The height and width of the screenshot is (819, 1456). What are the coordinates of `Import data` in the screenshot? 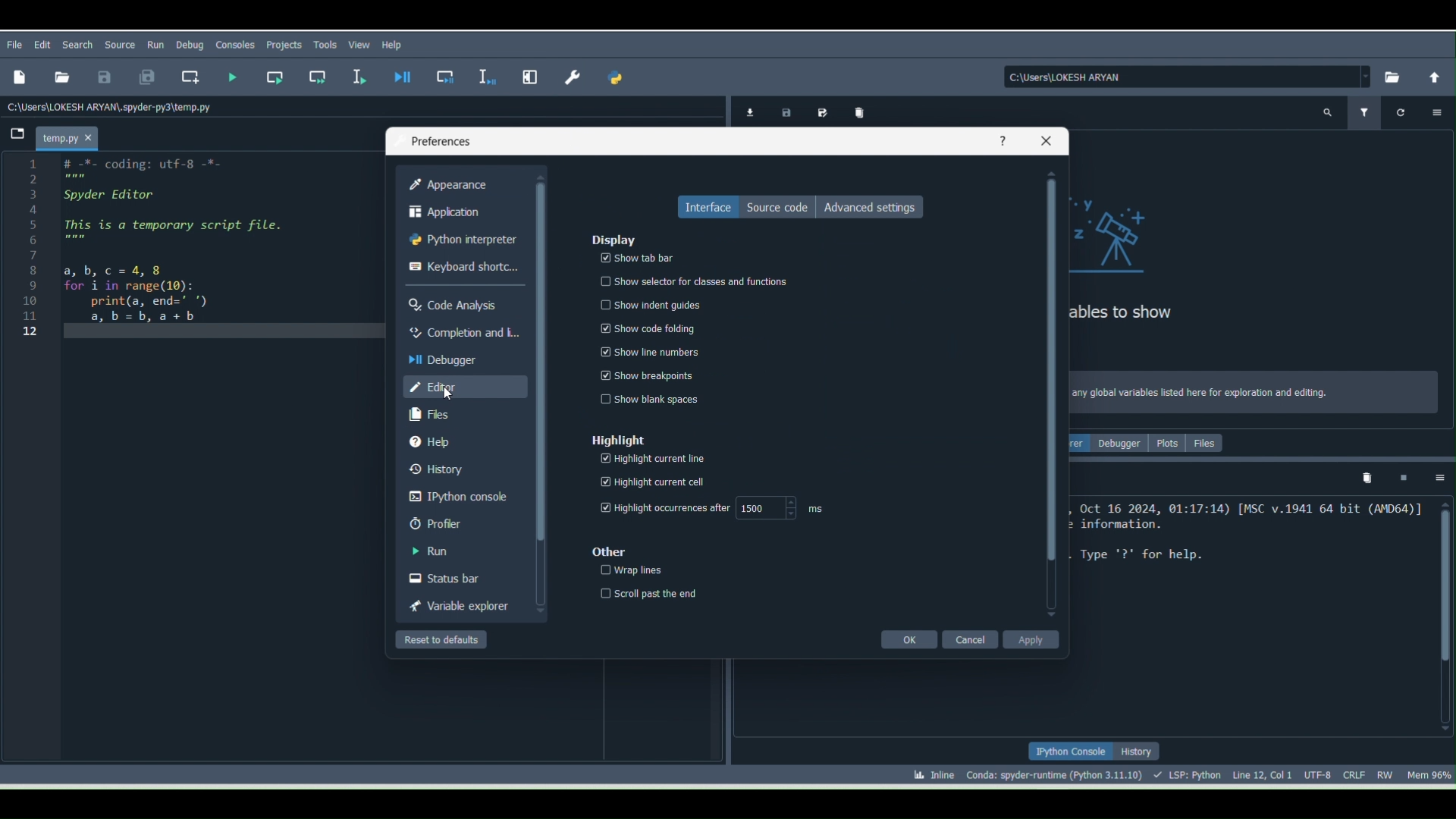 It's located at (747, 111).